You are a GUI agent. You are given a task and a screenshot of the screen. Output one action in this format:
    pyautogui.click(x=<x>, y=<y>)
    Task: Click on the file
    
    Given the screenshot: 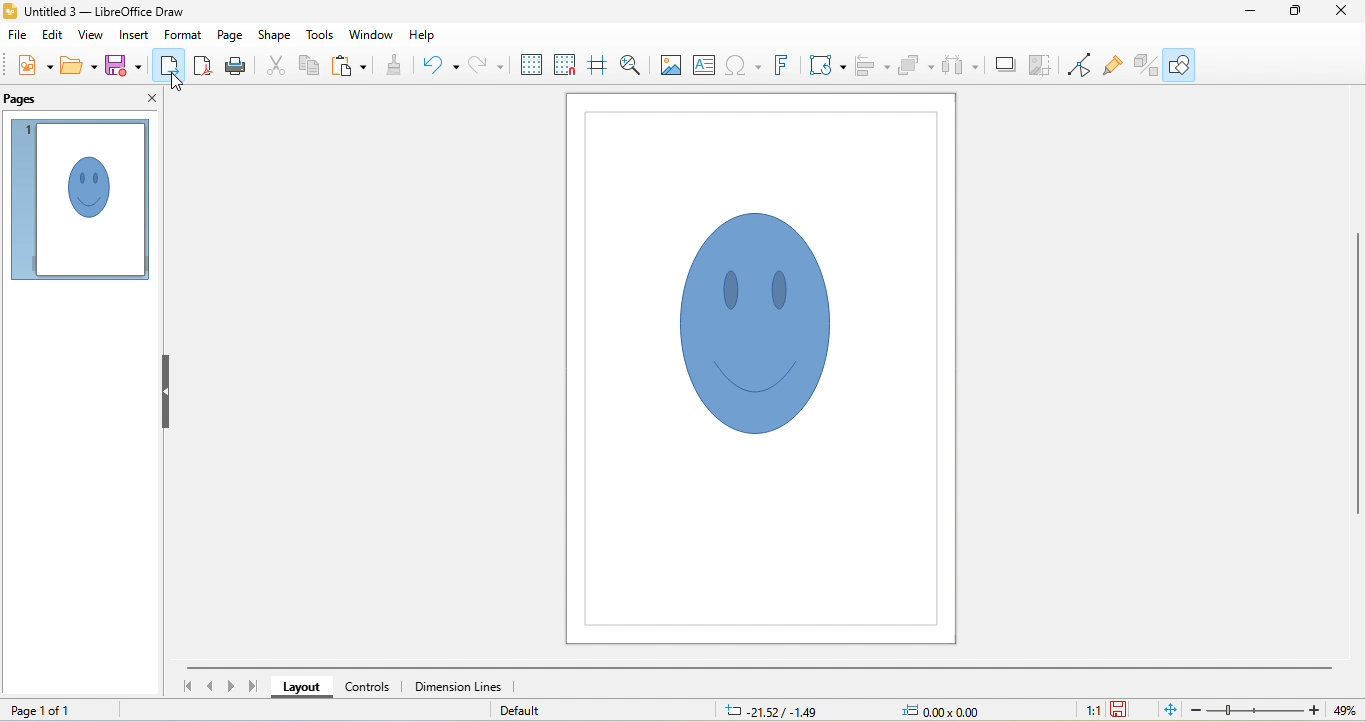 What is the action you would take?
    pyautogui.click(x=18, y=34)
    